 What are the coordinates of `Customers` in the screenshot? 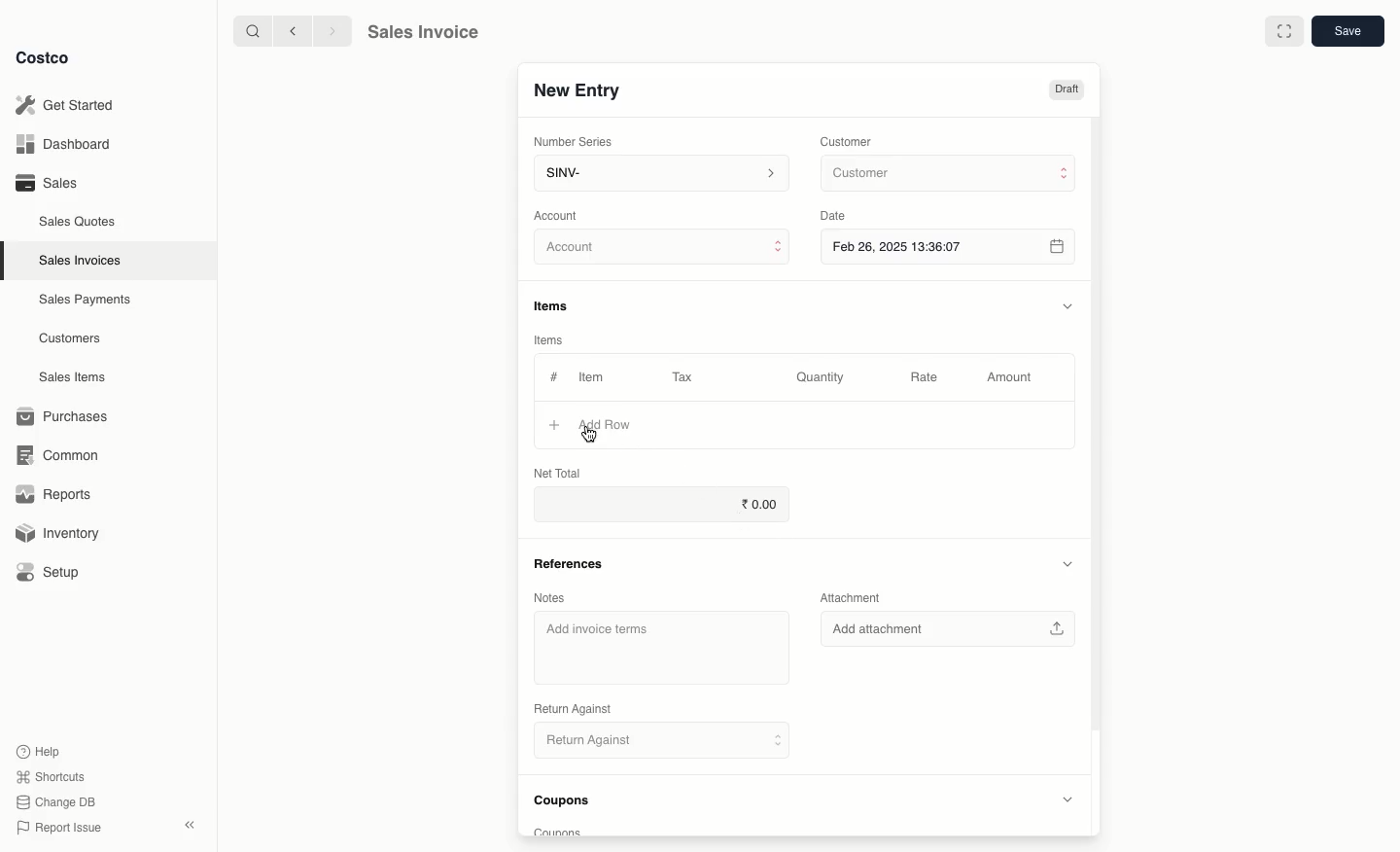 It's located at (70, 337).